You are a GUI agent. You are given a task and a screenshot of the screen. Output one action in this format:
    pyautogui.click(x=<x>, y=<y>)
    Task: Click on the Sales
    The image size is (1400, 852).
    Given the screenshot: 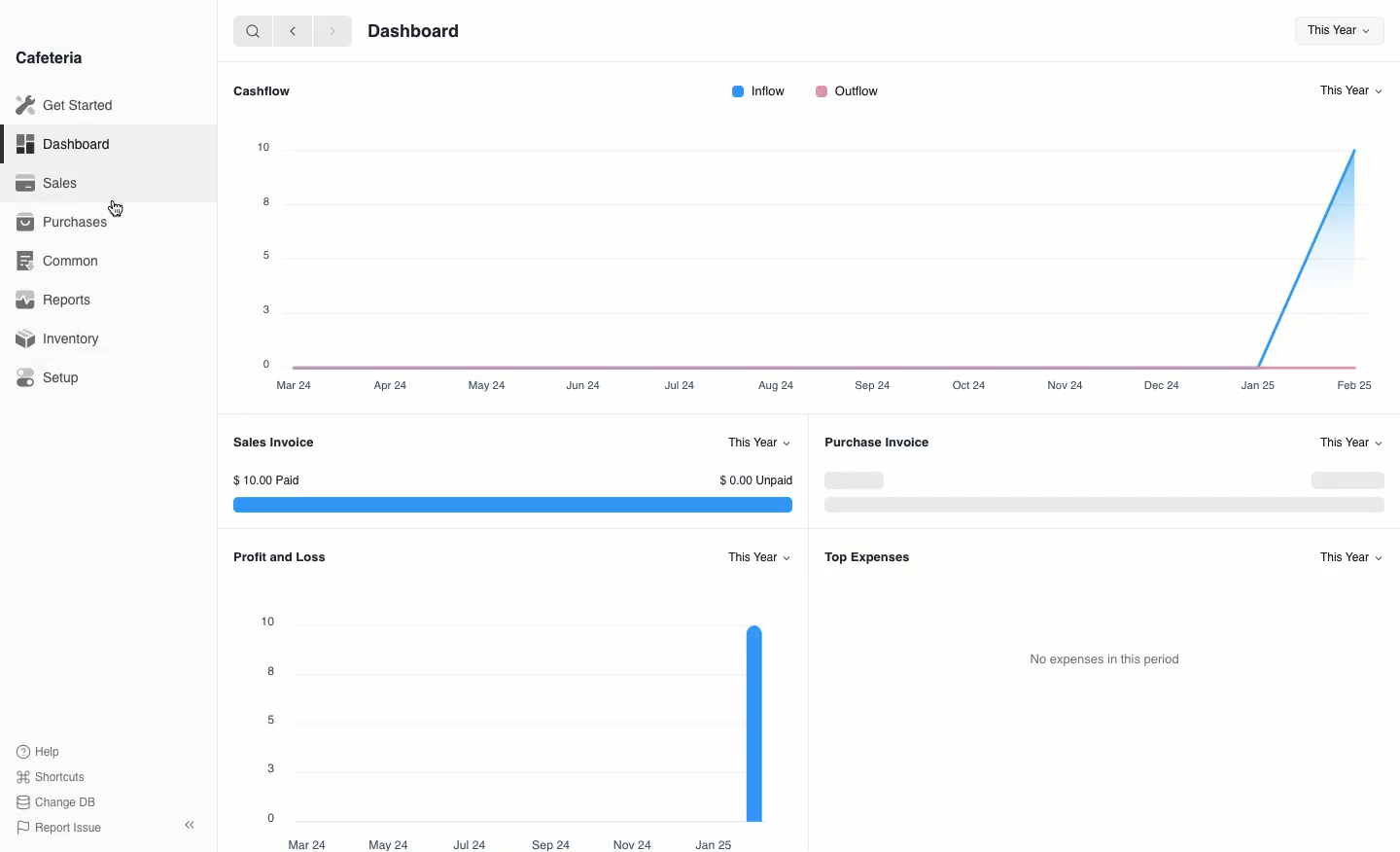 What is the action you would take?
    pyautogui.click(x=50, y=183)
    